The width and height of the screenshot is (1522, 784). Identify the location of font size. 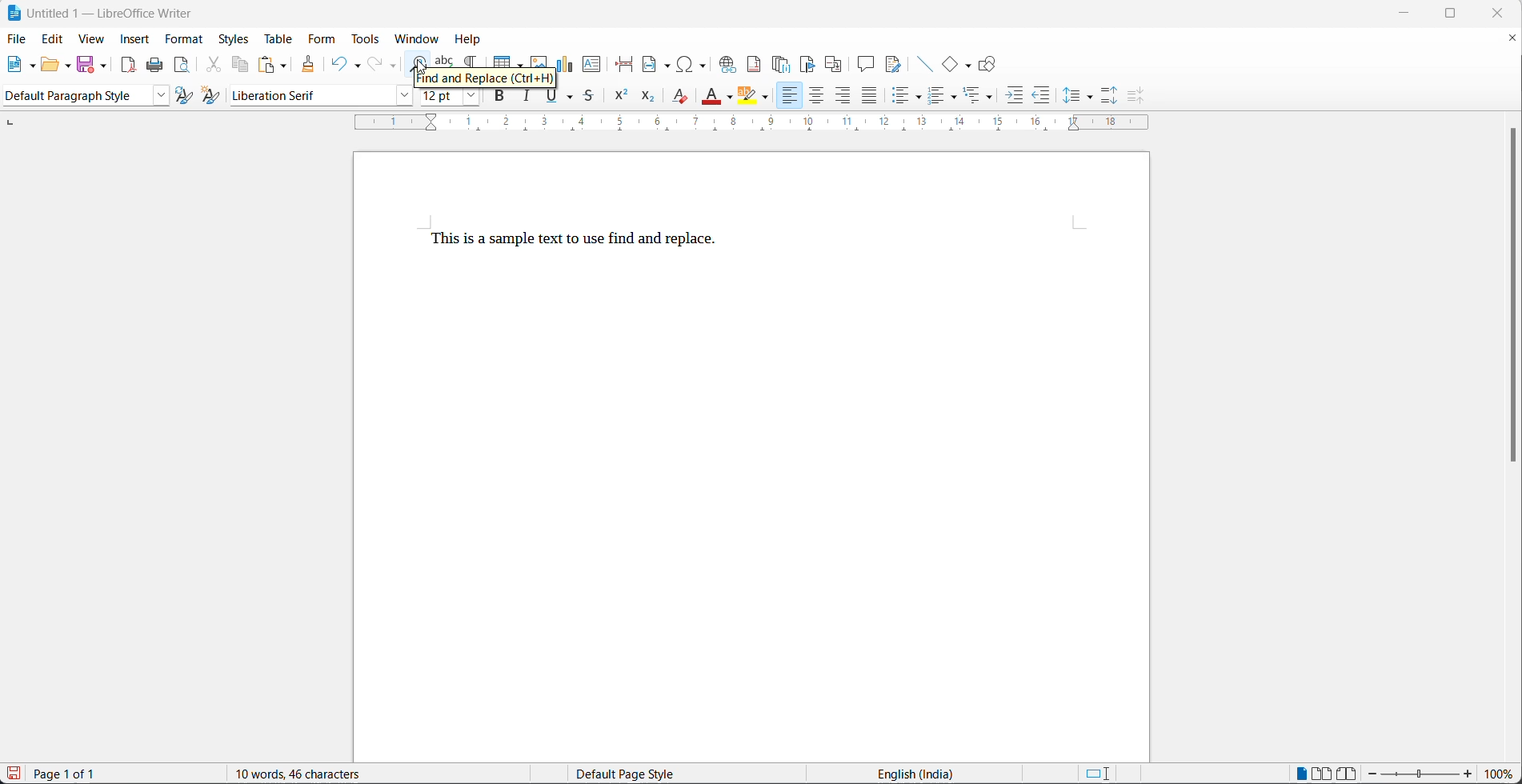
(436, 98).